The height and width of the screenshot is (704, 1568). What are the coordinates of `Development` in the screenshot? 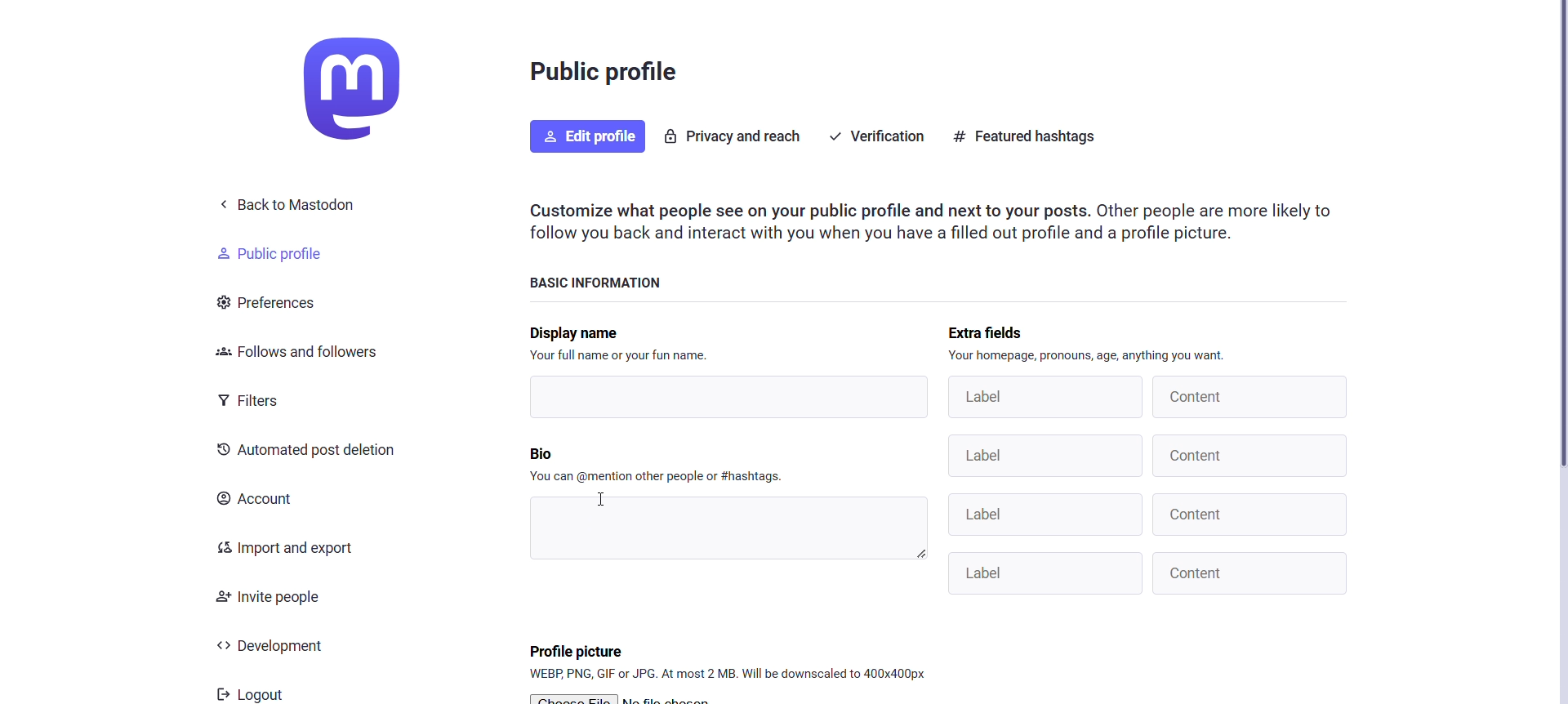 It's located at (286, 646).